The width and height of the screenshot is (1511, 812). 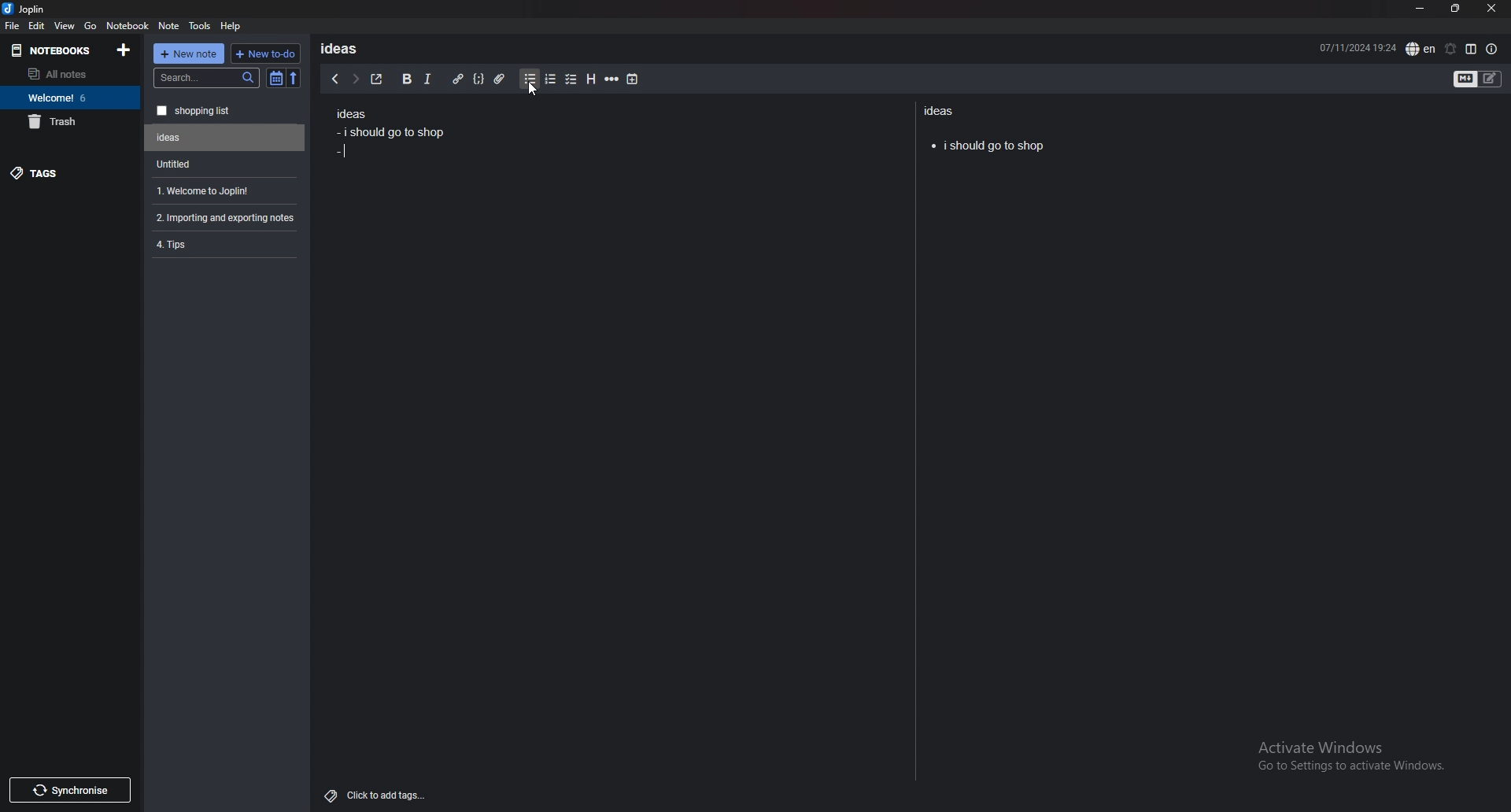 I want to click on shopping list, so click(x=225, y=111).